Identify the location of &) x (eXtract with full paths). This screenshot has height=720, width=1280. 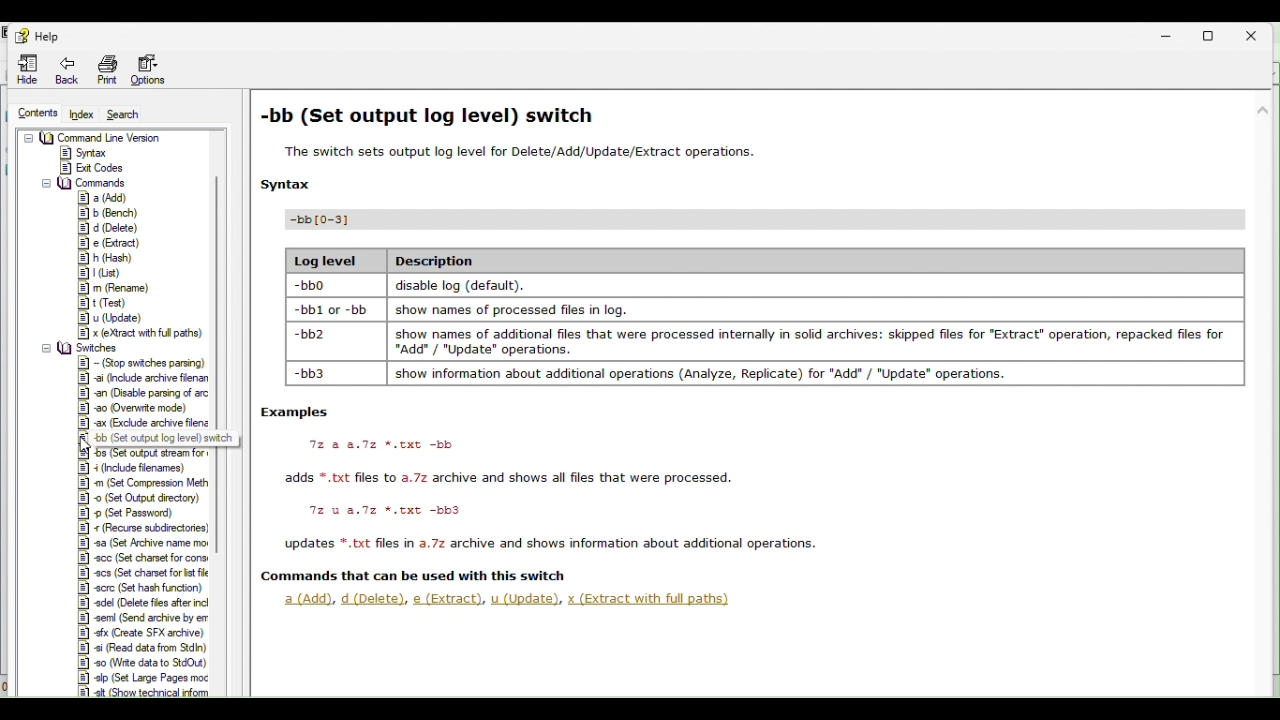
(146, 332).